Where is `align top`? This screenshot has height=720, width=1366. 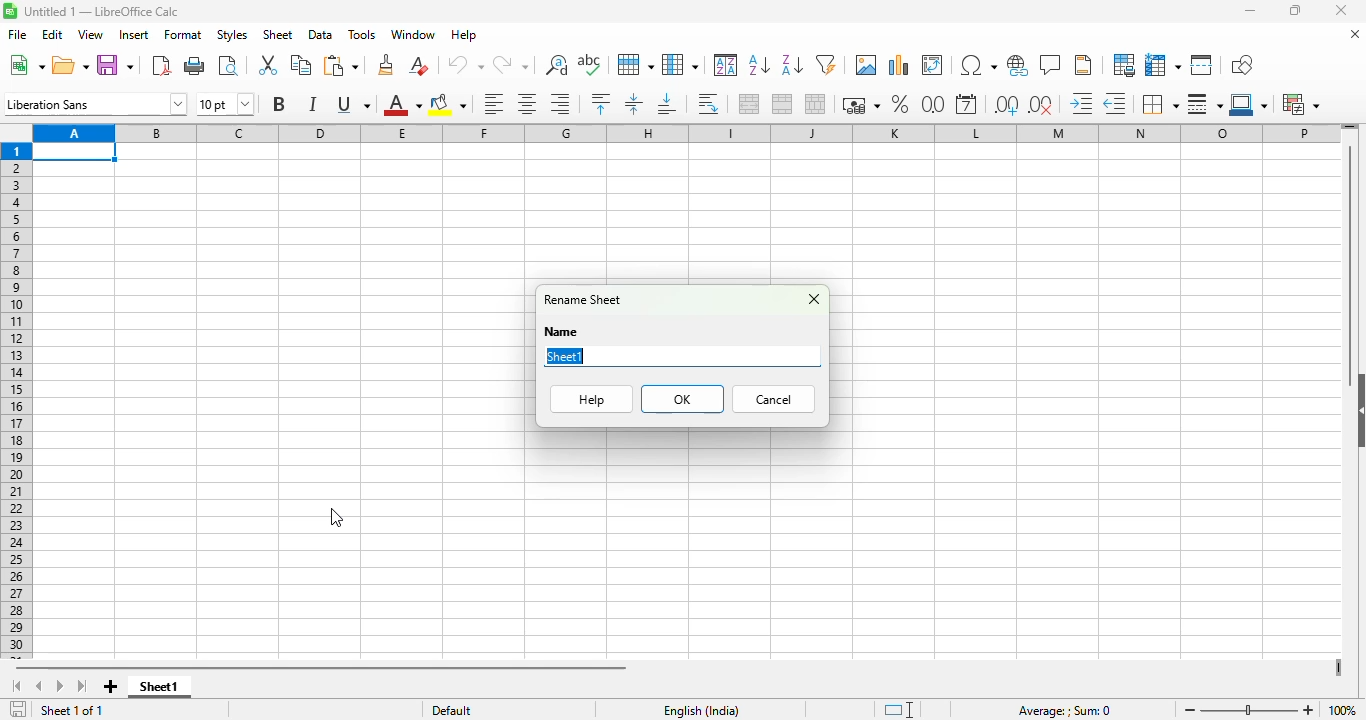 align top is located at coordinates (600, 102).